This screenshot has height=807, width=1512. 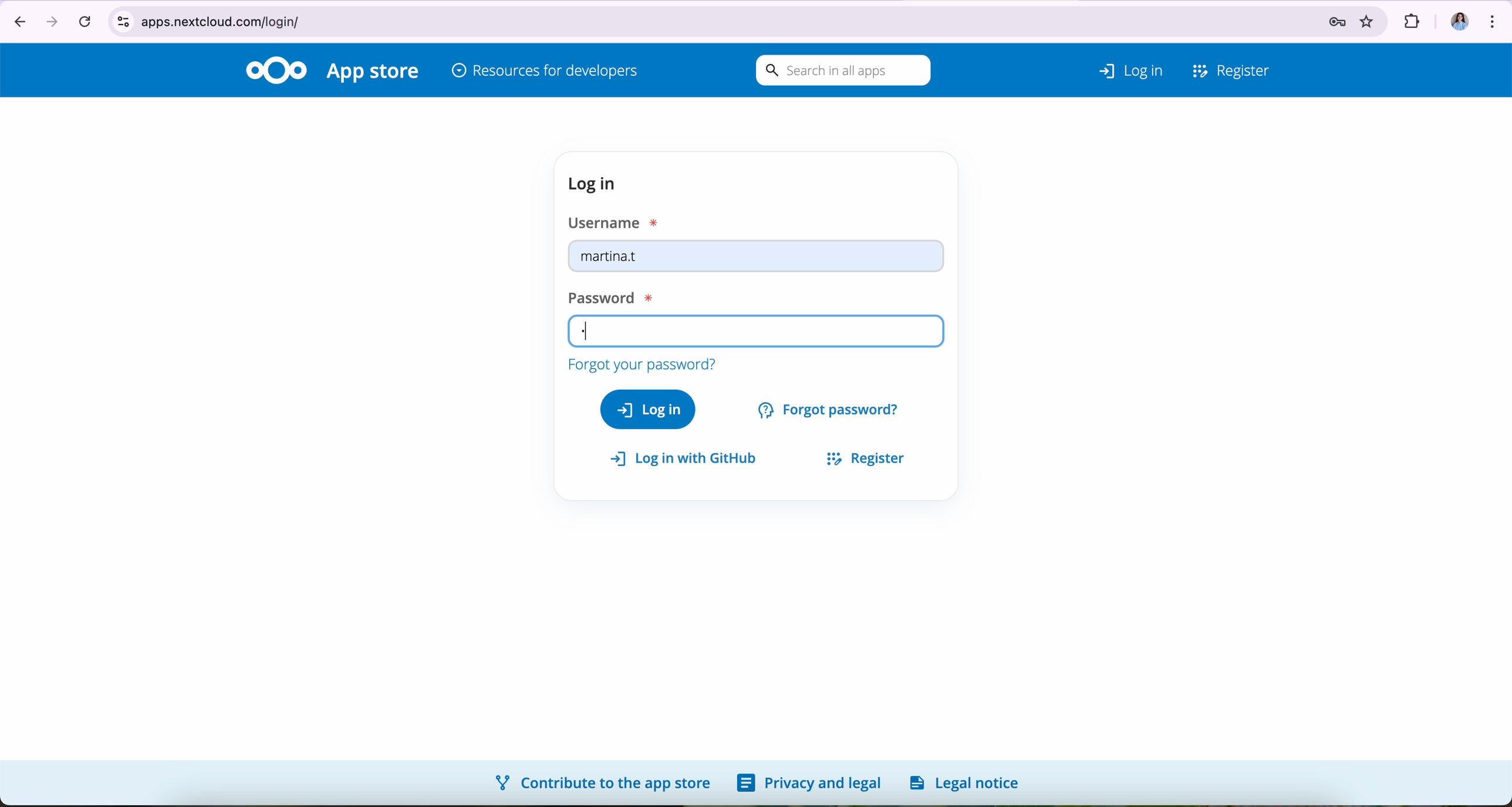 I want to click on password, so click(x=1328, y=18).